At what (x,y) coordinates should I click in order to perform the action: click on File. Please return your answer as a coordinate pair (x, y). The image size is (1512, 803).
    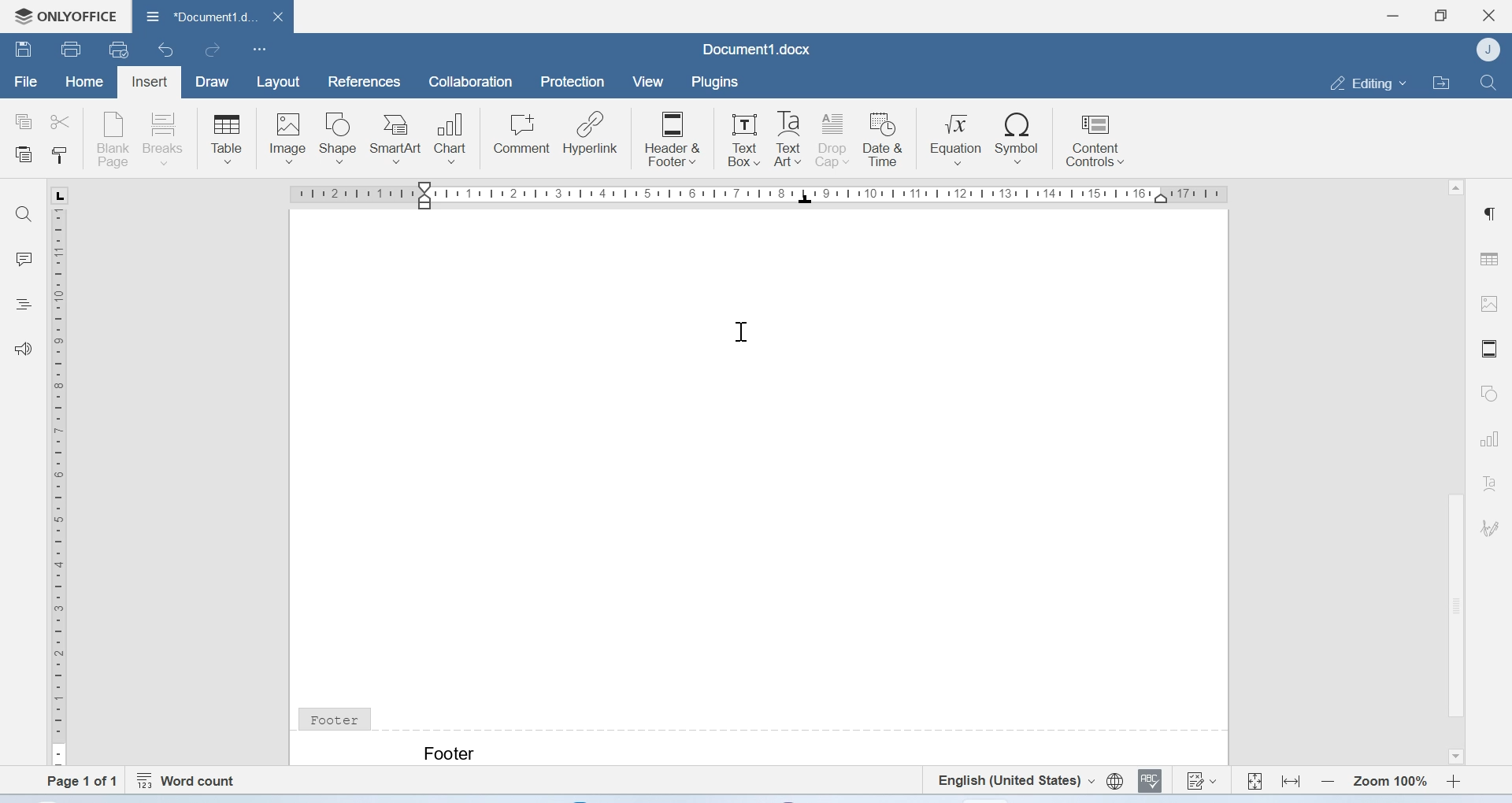
    Looking at the image, I should click on (24, 83).